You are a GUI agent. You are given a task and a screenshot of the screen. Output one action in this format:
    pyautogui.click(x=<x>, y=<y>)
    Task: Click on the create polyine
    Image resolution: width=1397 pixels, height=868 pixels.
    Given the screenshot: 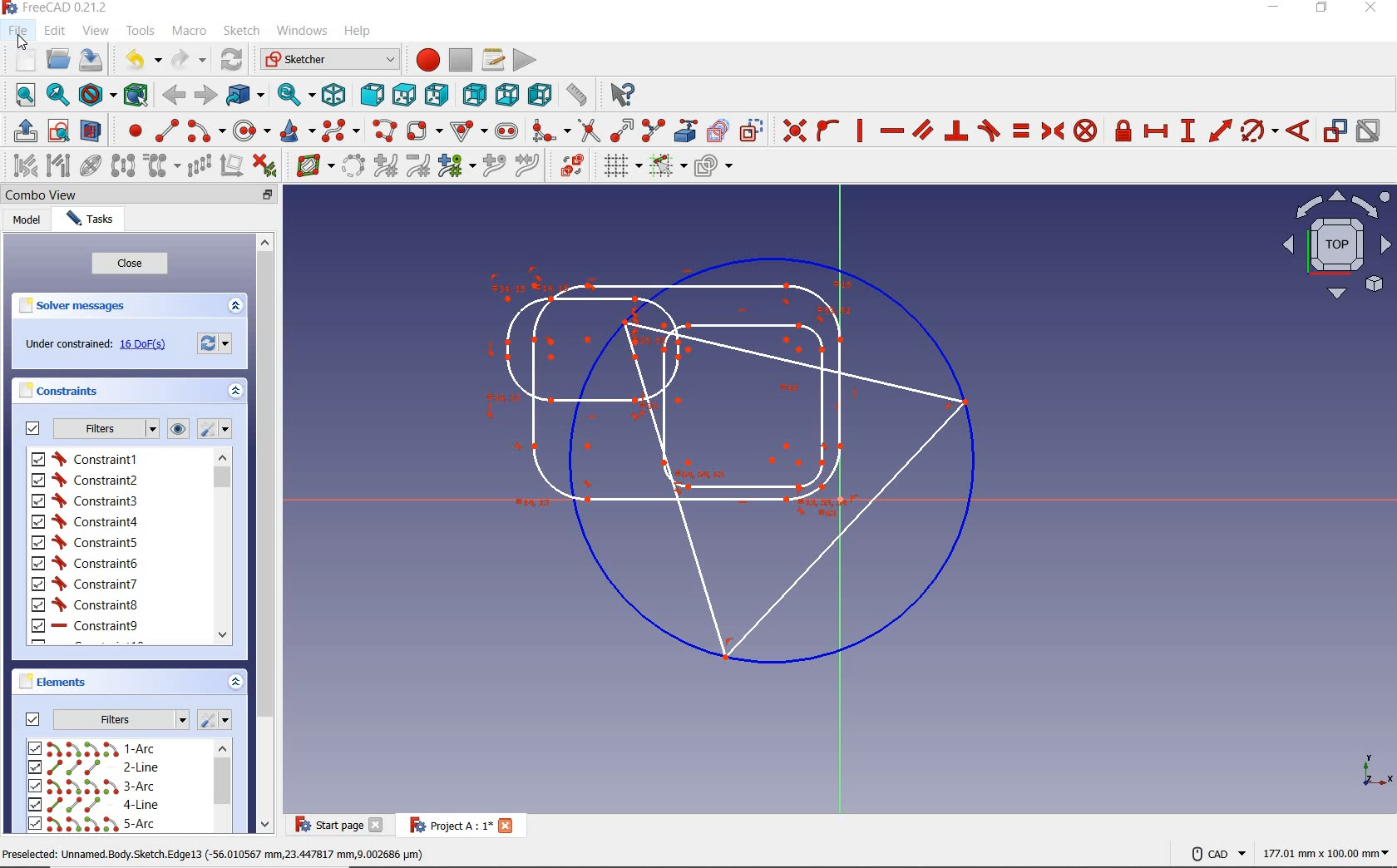 What is the action you would take?
    pyautogui.click(x=383, y=131)
    